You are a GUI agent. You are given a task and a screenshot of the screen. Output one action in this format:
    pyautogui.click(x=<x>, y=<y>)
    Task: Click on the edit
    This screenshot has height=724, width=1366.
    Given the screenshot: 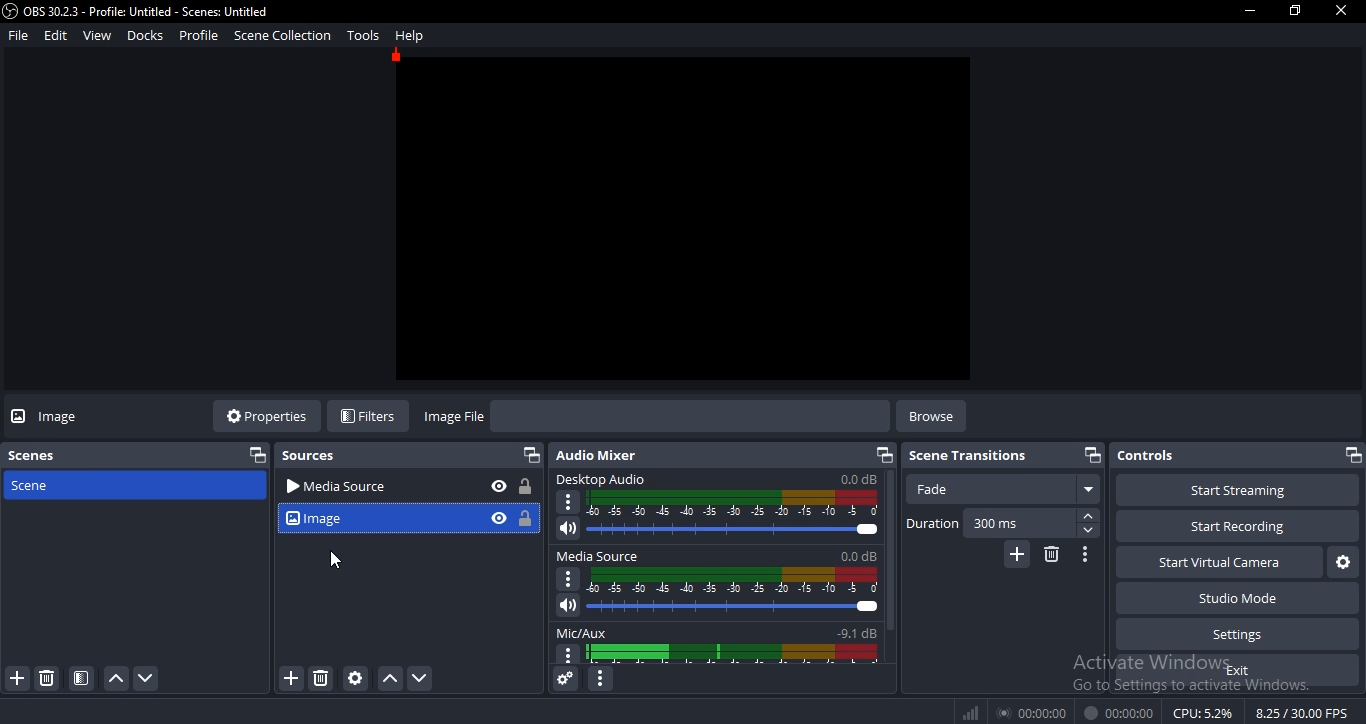 What is the action you would take?
    pyautogui.click(x=55, y=35)
    